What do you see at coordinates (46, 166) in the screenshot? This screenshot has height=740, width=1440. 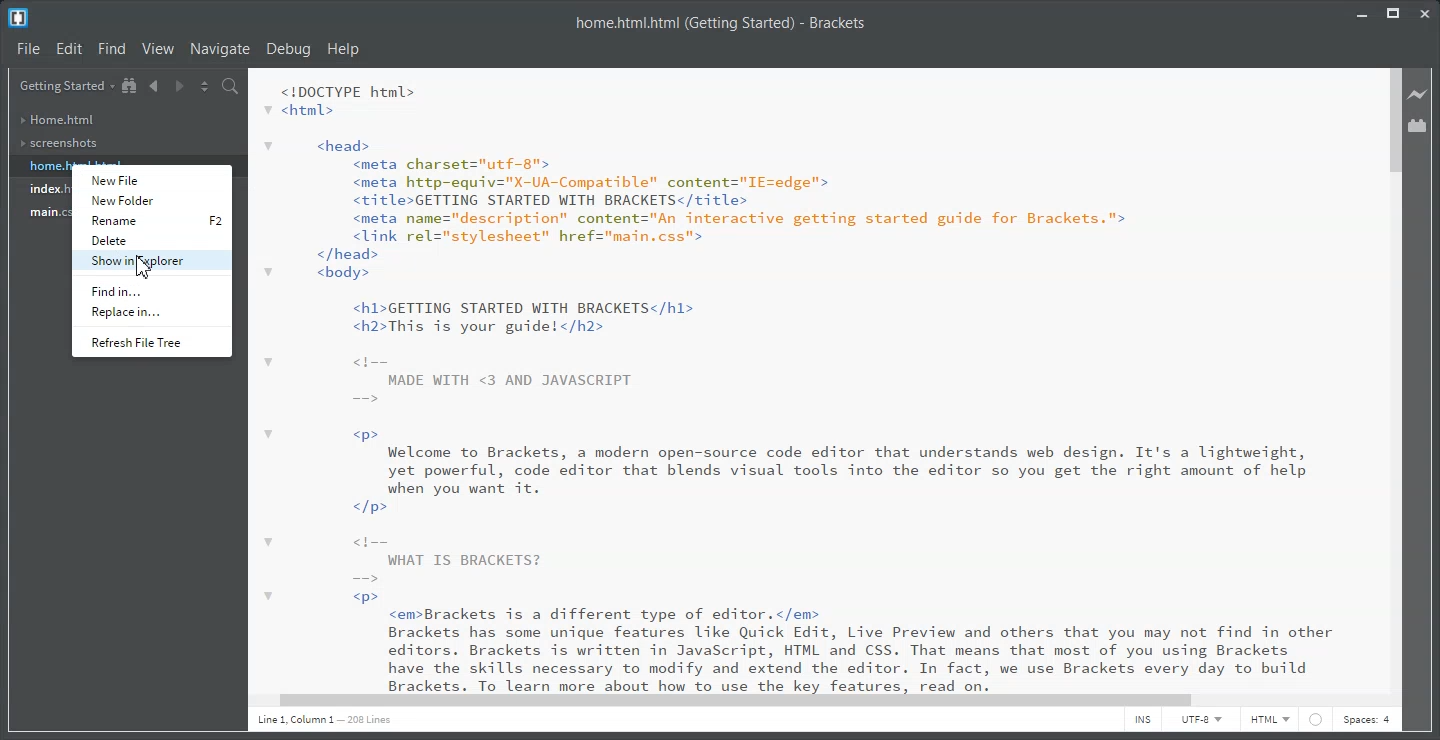 I see `home.html.html` at bounding box center [46, 166].